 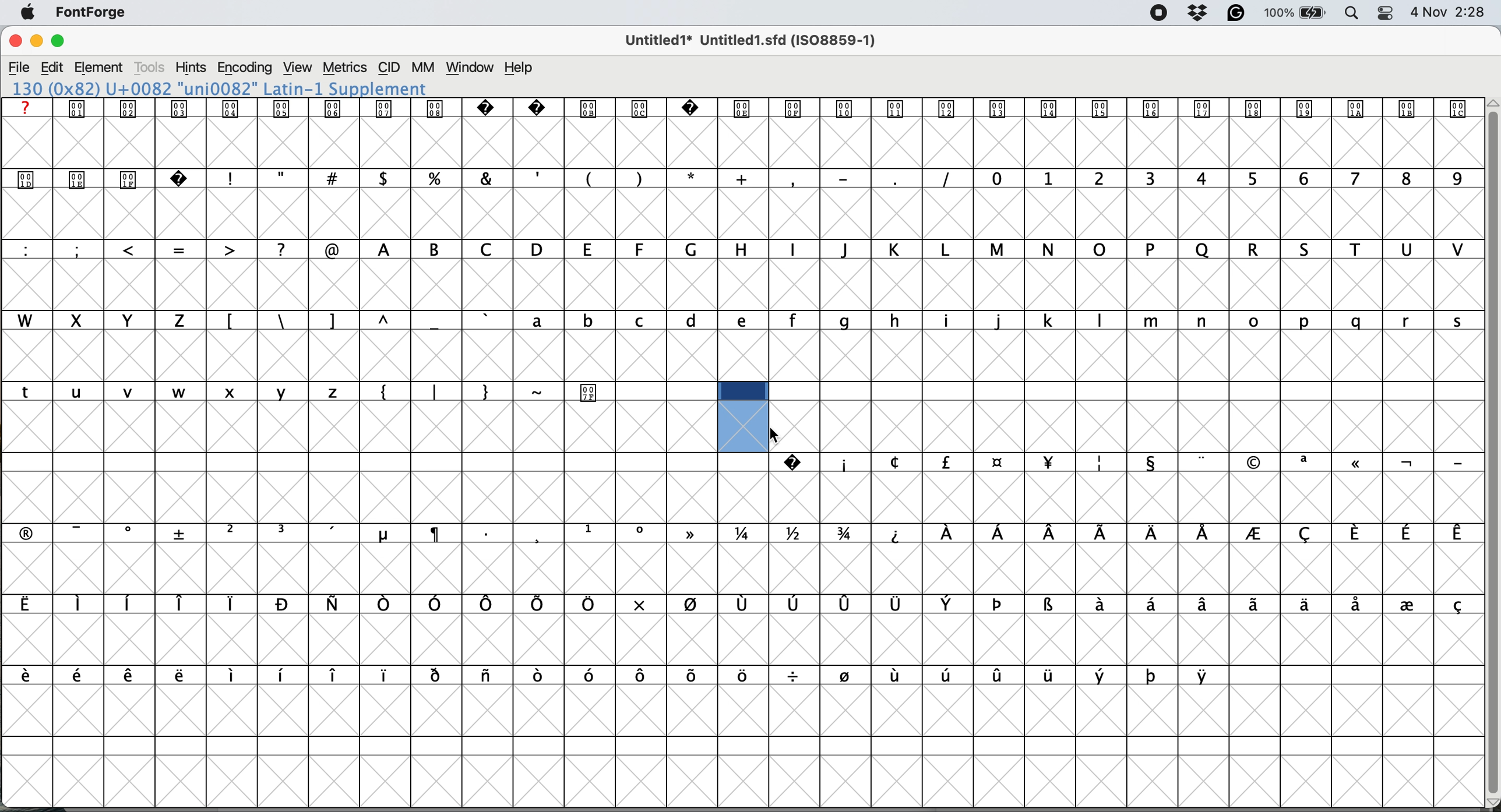 What do you see at coordinates (1294, 13) in the screenshot?
I see `battery` at bounding box center [1294, 13].